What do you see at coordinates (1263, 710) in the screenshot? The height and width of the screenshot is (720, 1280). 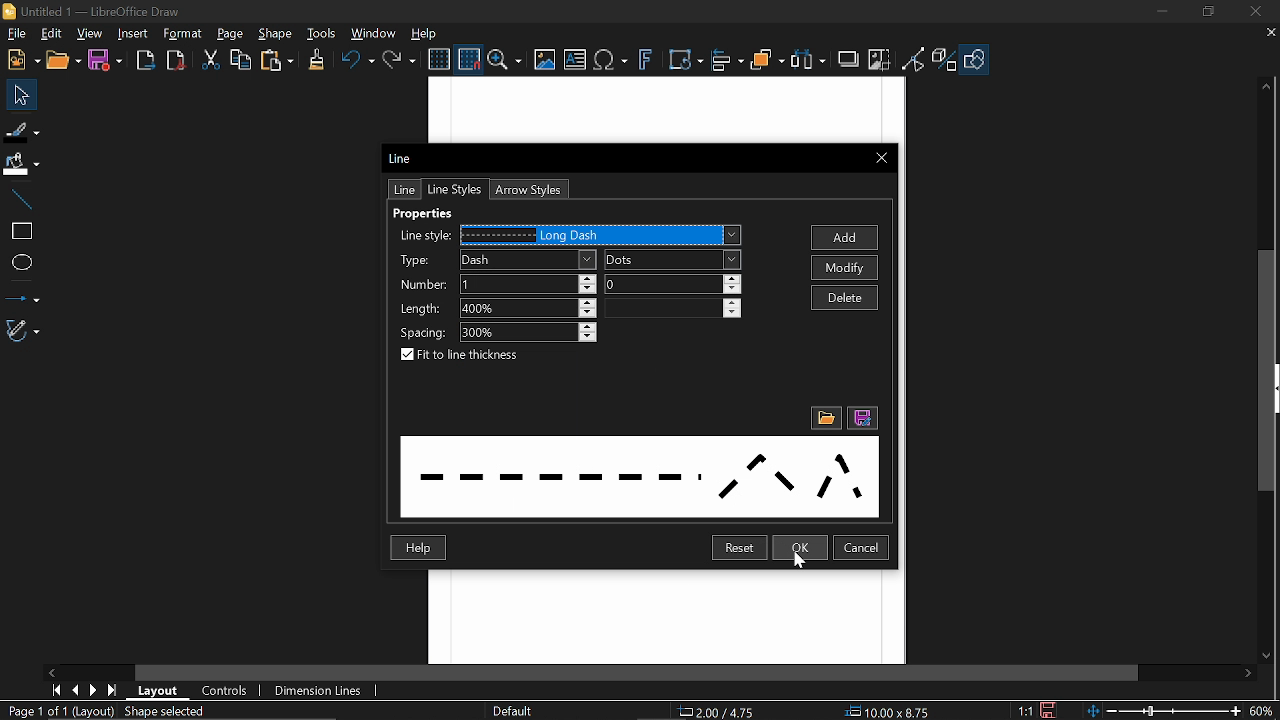 I see `Current zoom` at bounding box center [1263, 710].